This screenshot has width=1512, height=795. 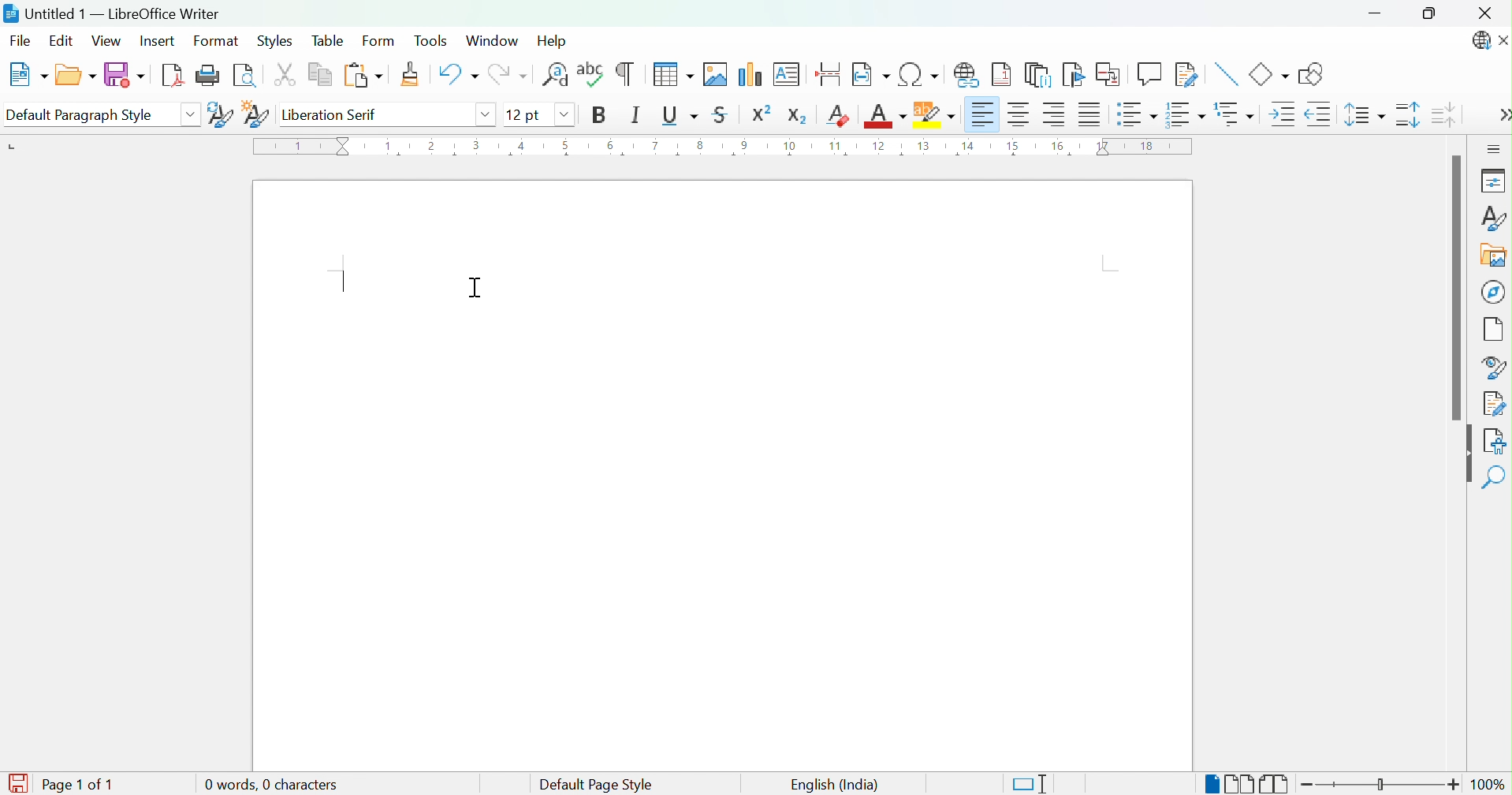 I want to click on Cut, so click(x=285, y=75).